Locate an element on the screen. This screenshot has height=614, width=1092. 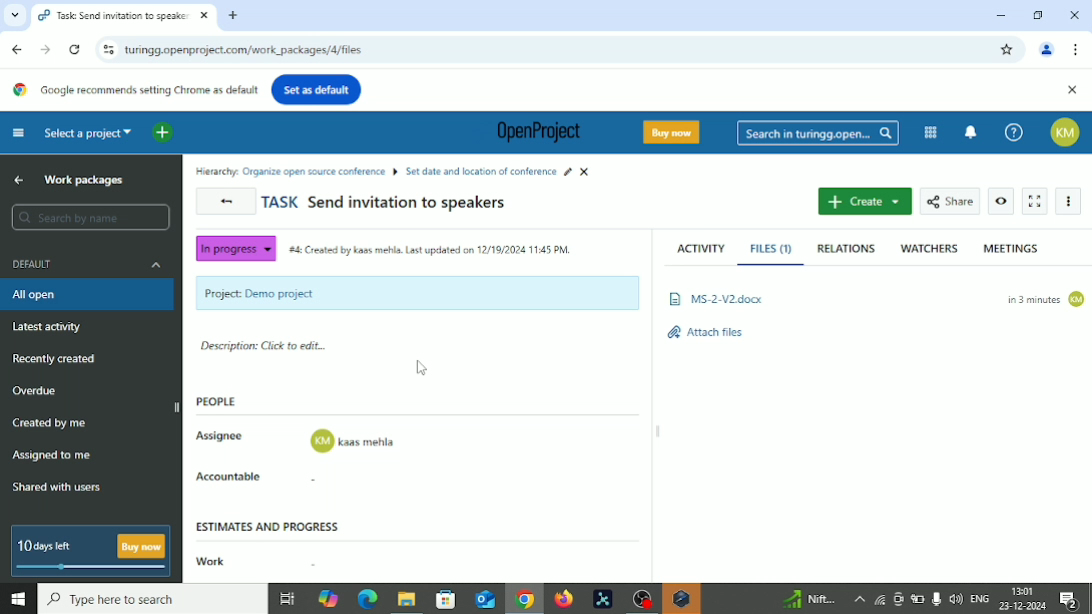
Mic is located at coordinates (936, 598).